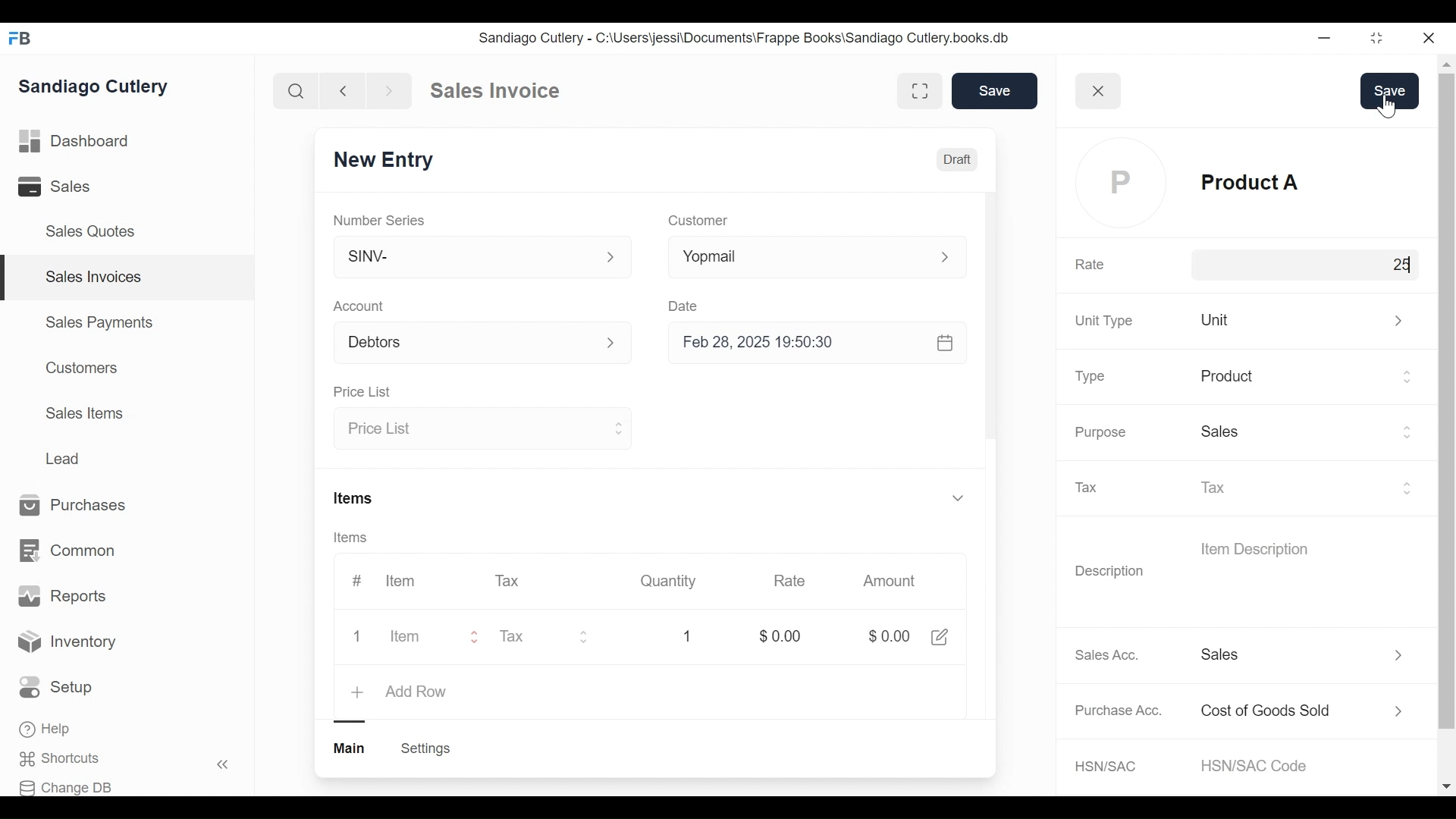  I want to click on Item, so click(399, 581).